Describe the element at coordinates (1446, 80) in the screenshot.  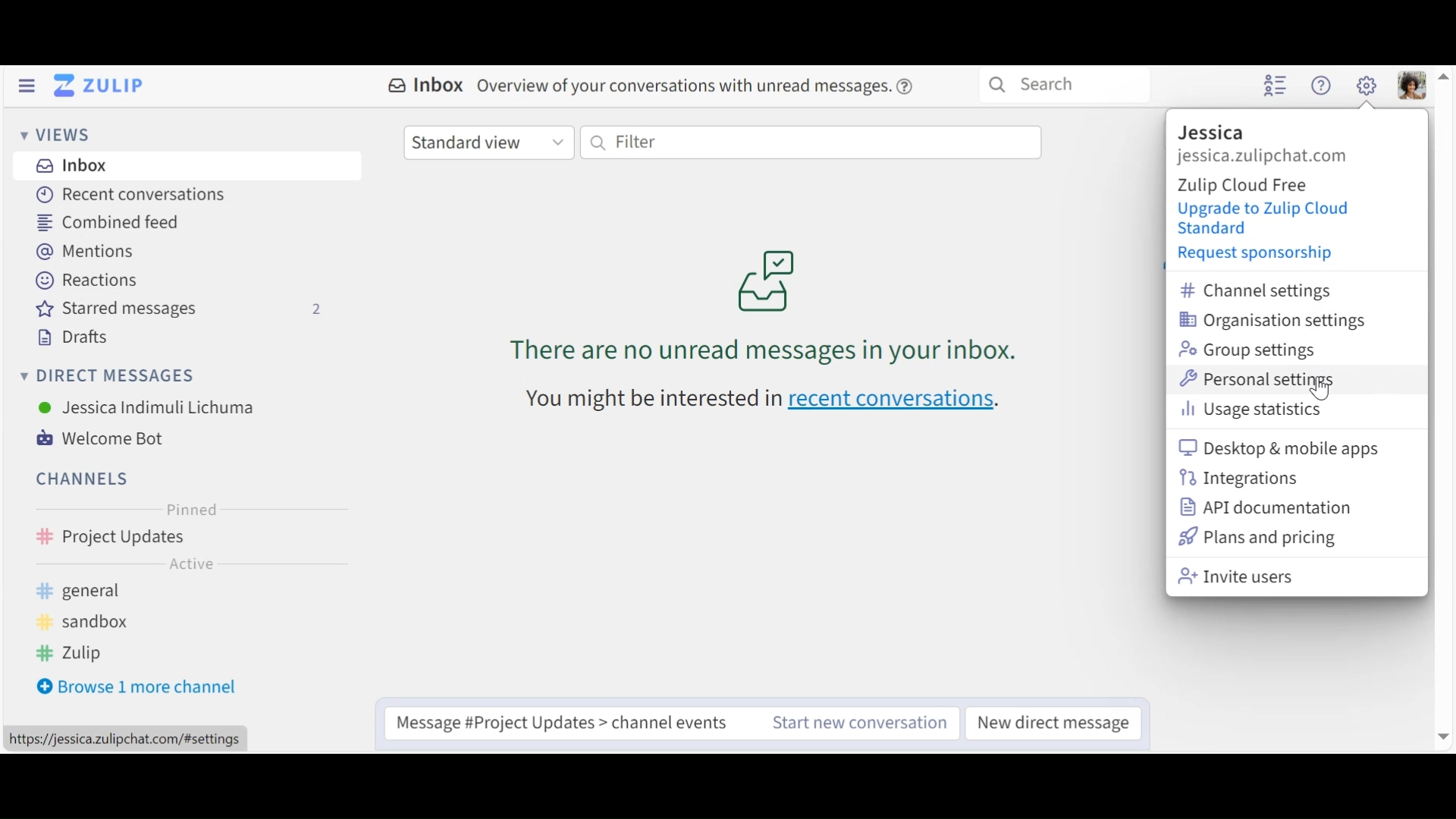
I see `Up` at that location.